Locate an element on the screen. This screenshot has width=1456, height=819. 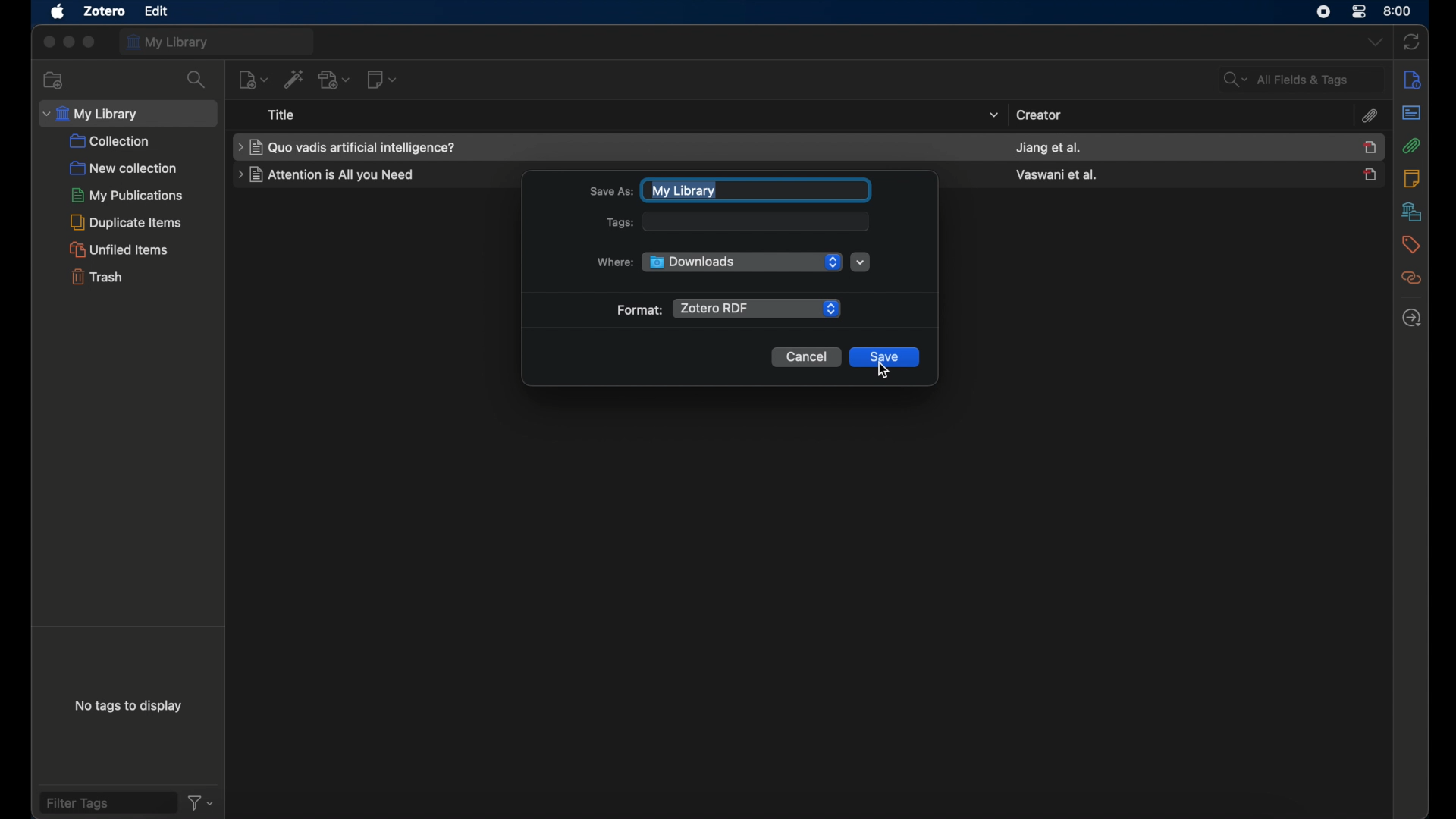
my publications is located at coordinates (128, 195).